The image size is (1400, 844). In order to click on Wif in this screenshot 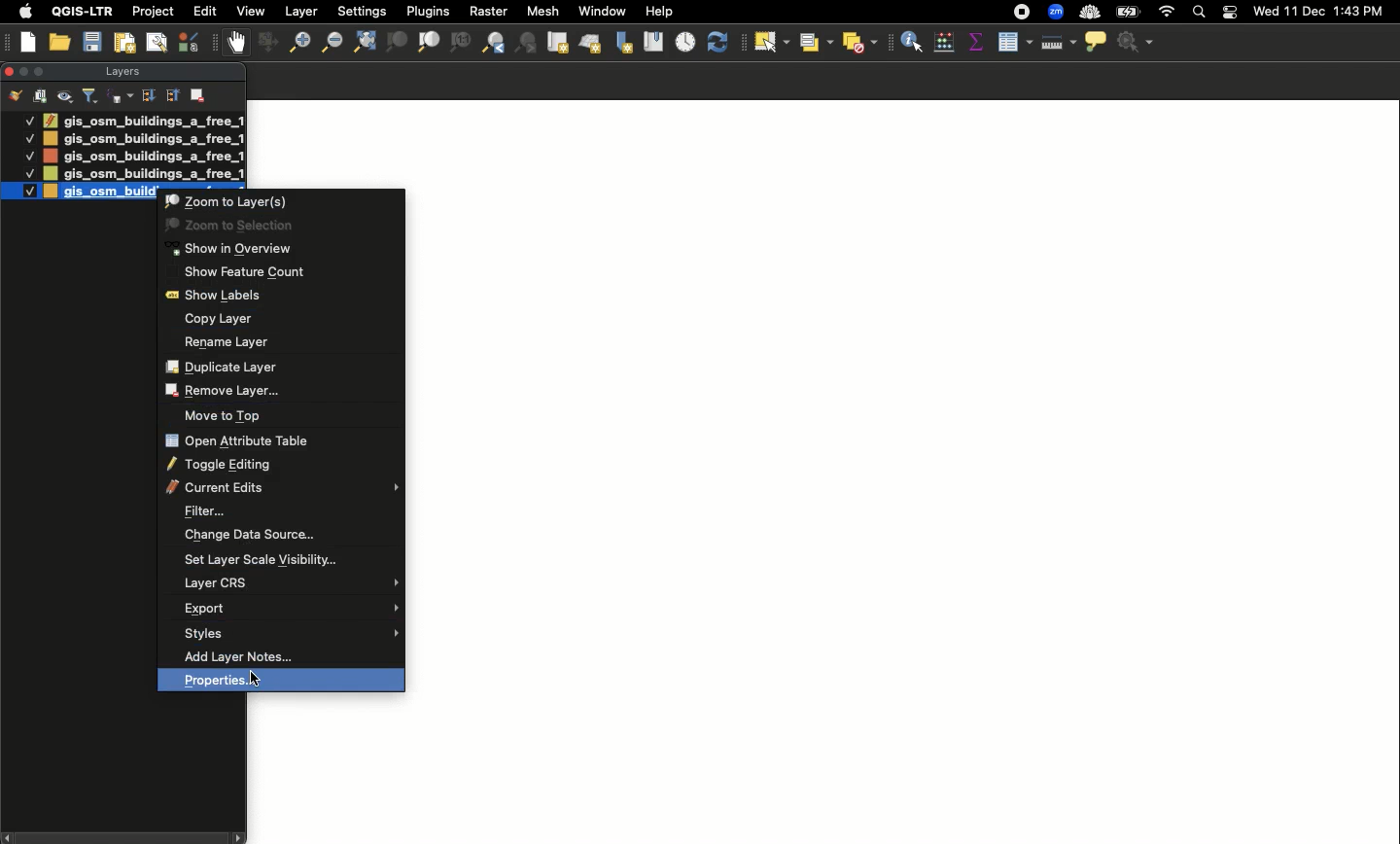, I will do `click(1167, 13)`.